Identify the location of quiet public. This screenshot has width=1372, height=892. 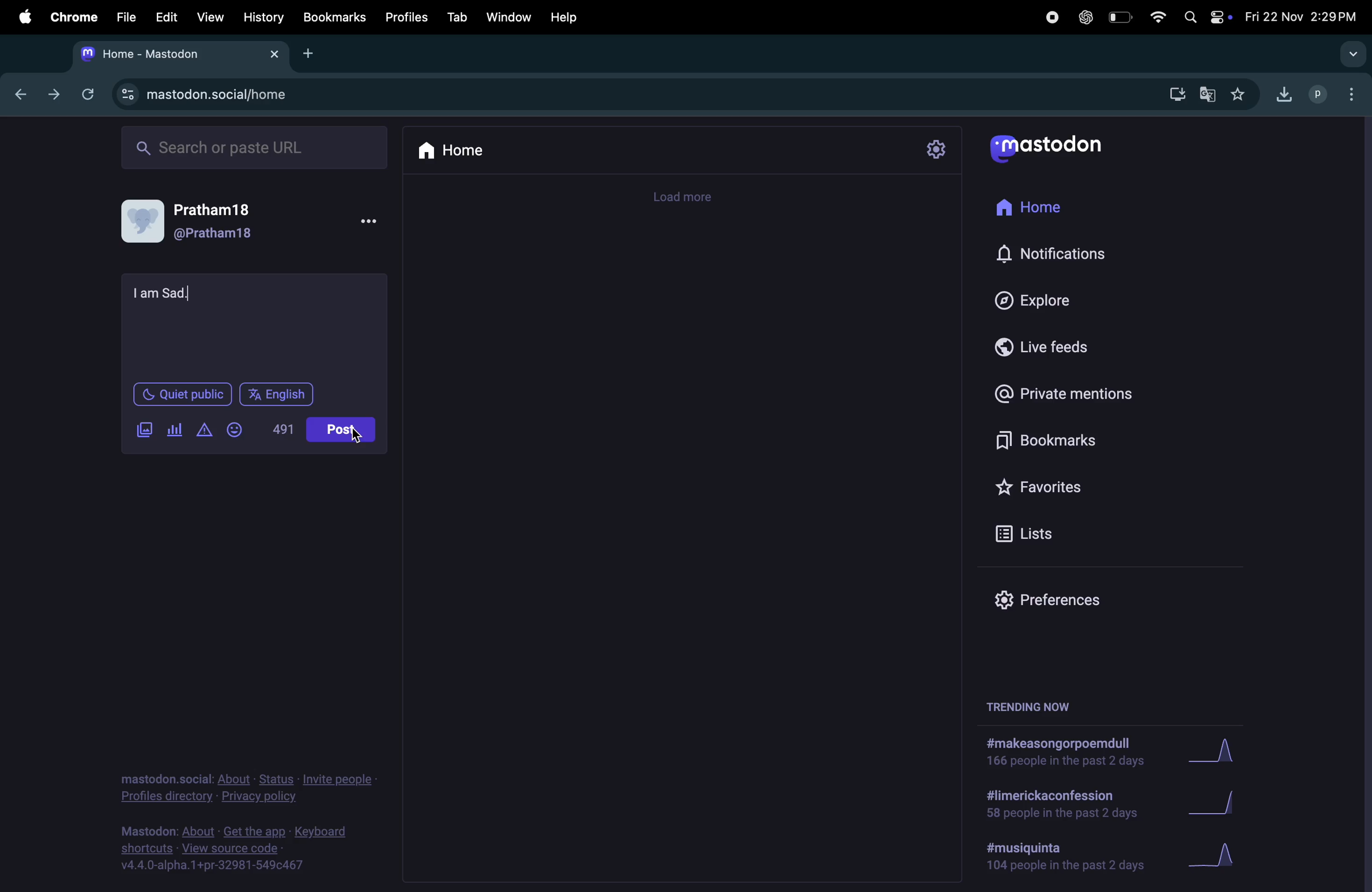
(182, 392).